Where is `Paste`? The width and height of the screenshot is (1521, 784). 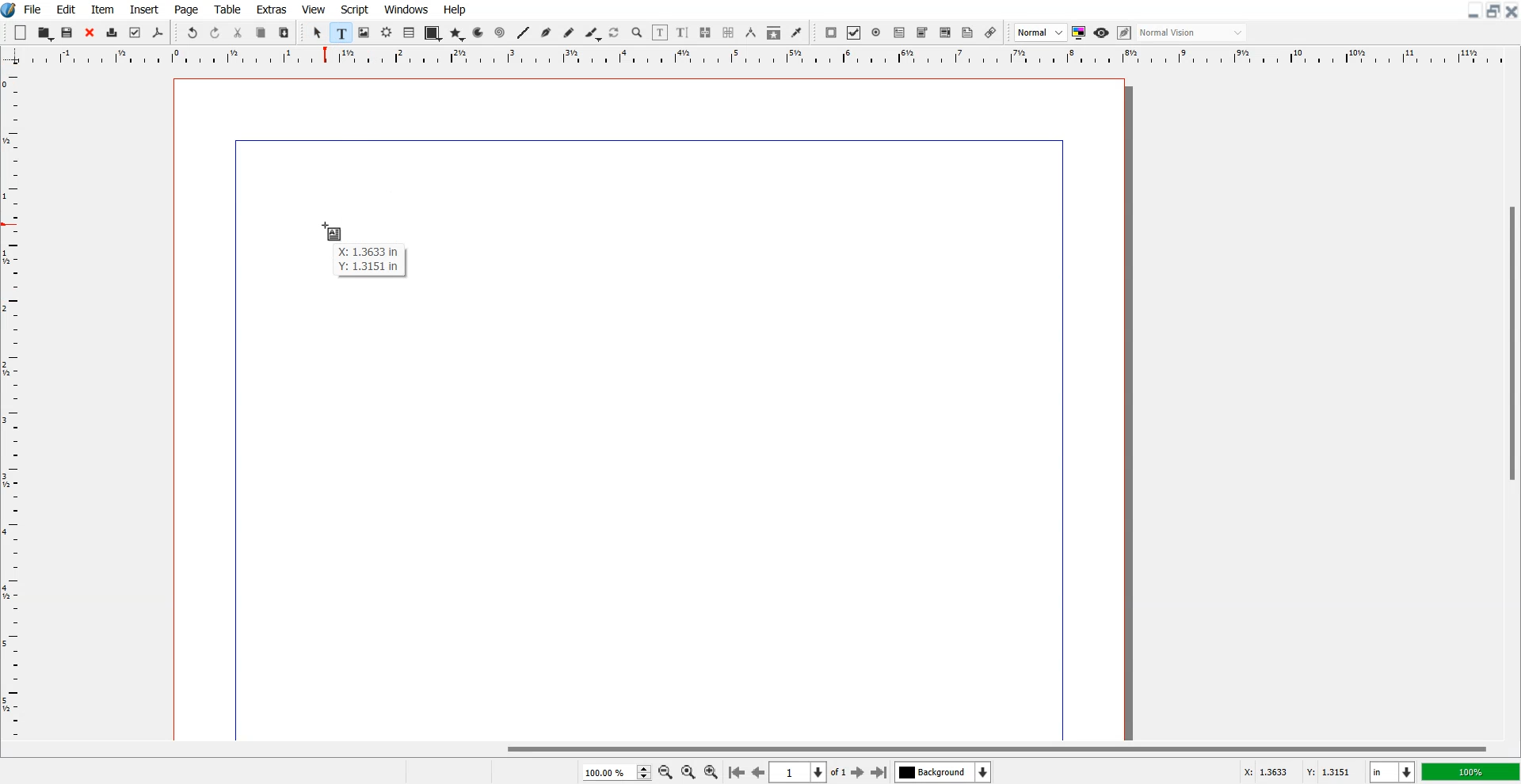
Paste is located at coordinates (284, 32).